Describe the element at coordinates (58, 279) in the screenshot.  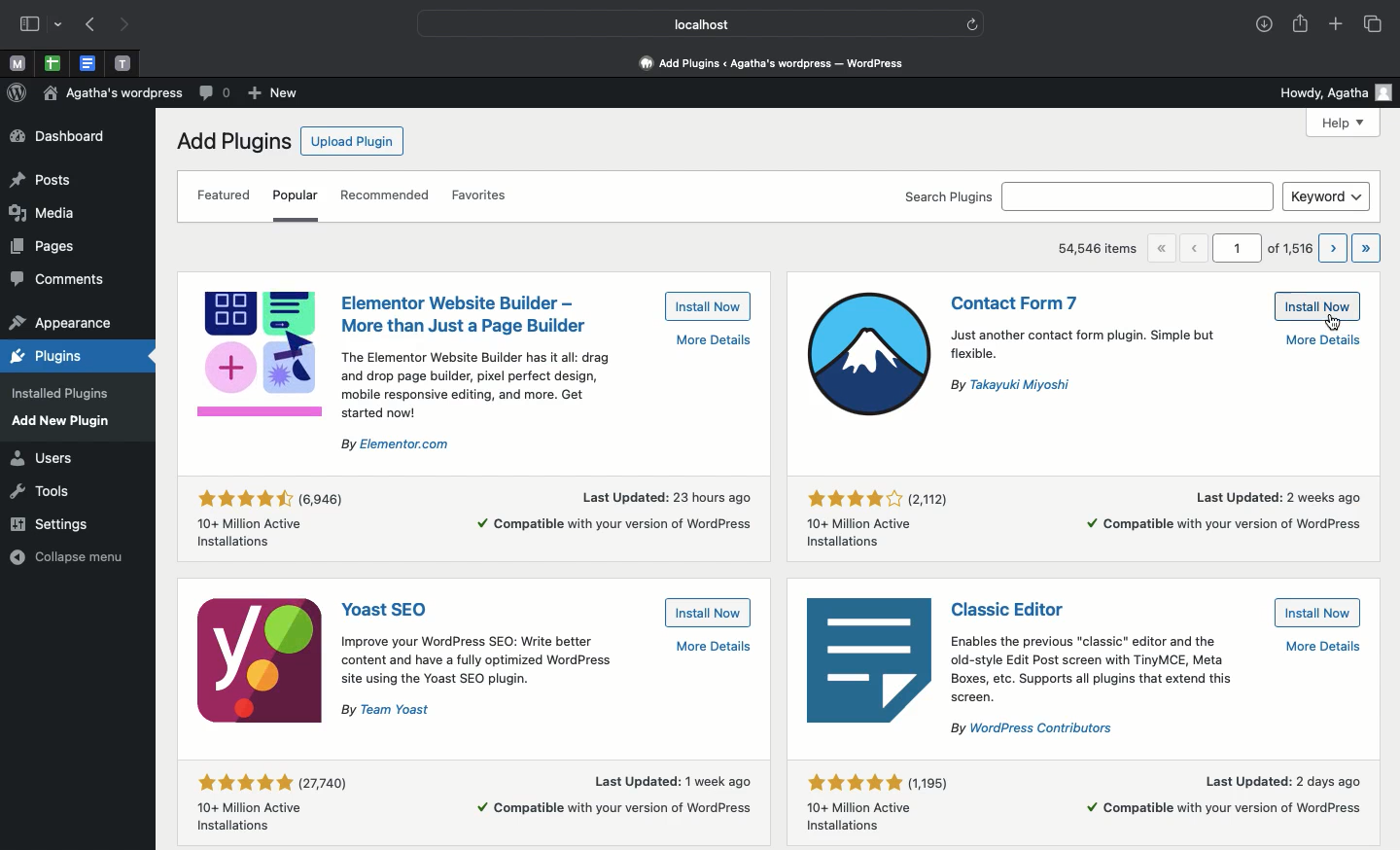
I see `comments` at that location.